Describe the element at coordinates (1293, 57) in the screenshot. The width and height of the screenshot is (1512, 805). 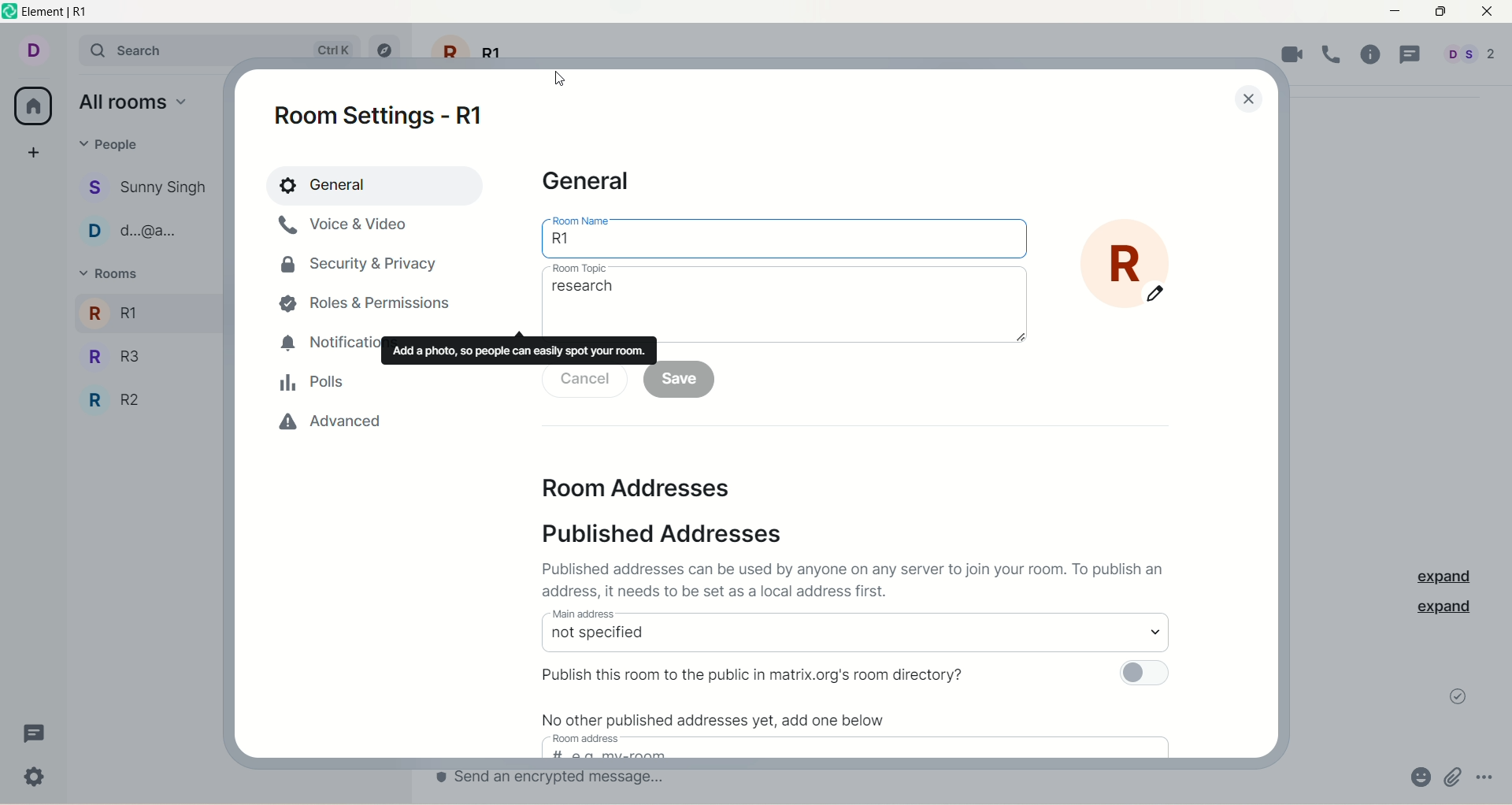
I see `video call` at that location.